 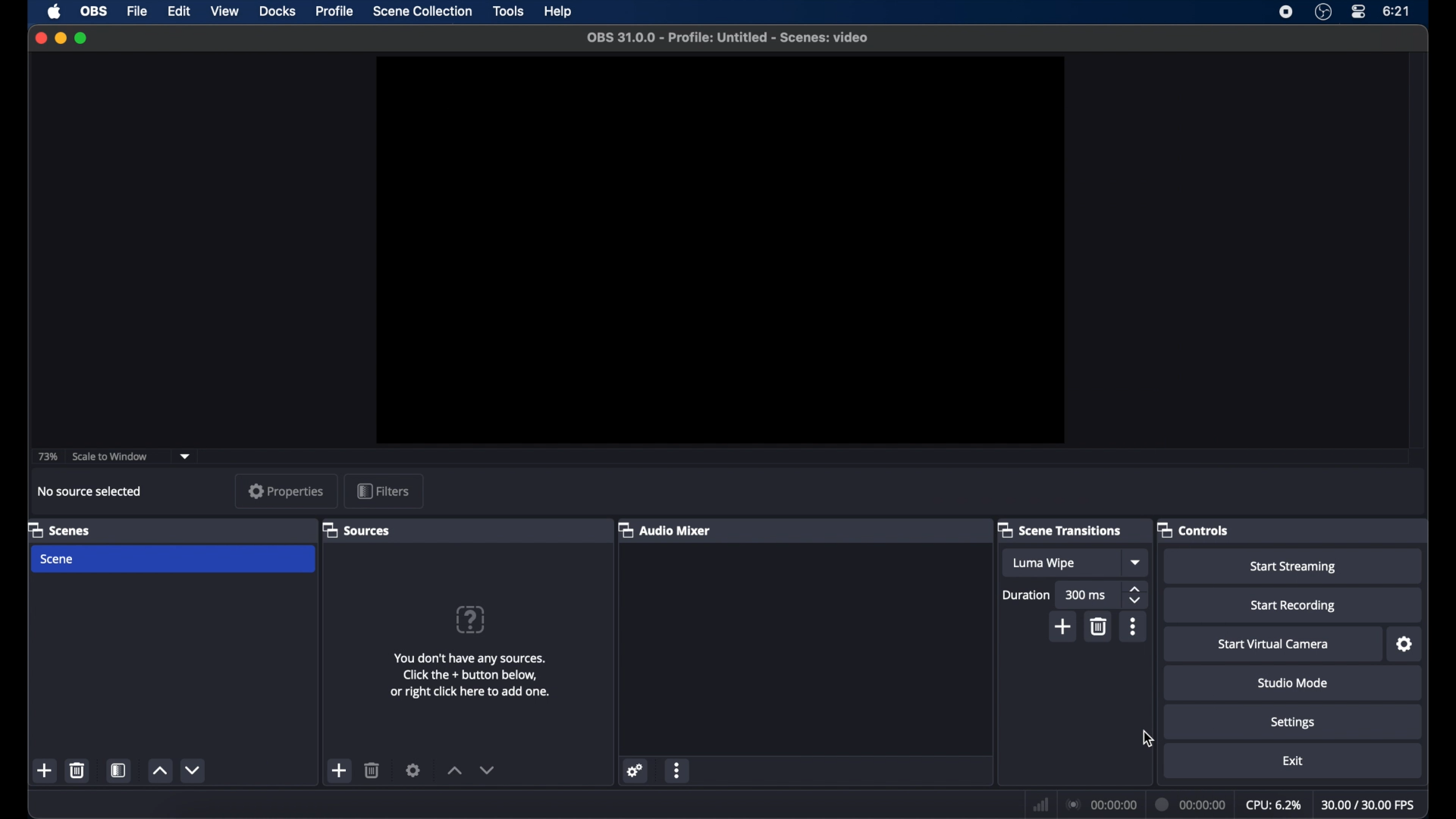 What do you see at coordinates (1370, 805) in the screenshot?
I see `fps` at bounding box center [1370, 805].